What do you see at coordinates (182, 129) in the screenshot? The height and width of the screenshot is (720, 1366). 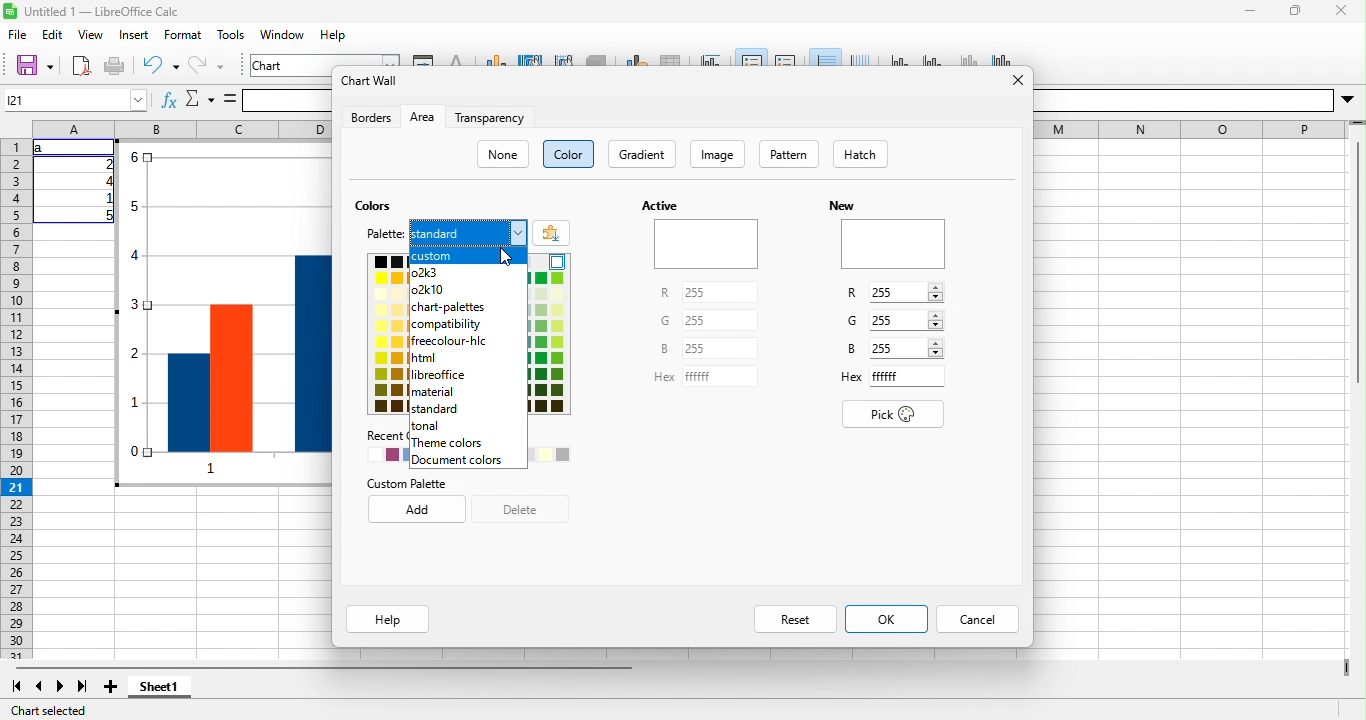 I see `column headings` at bounding box center [182, 129].